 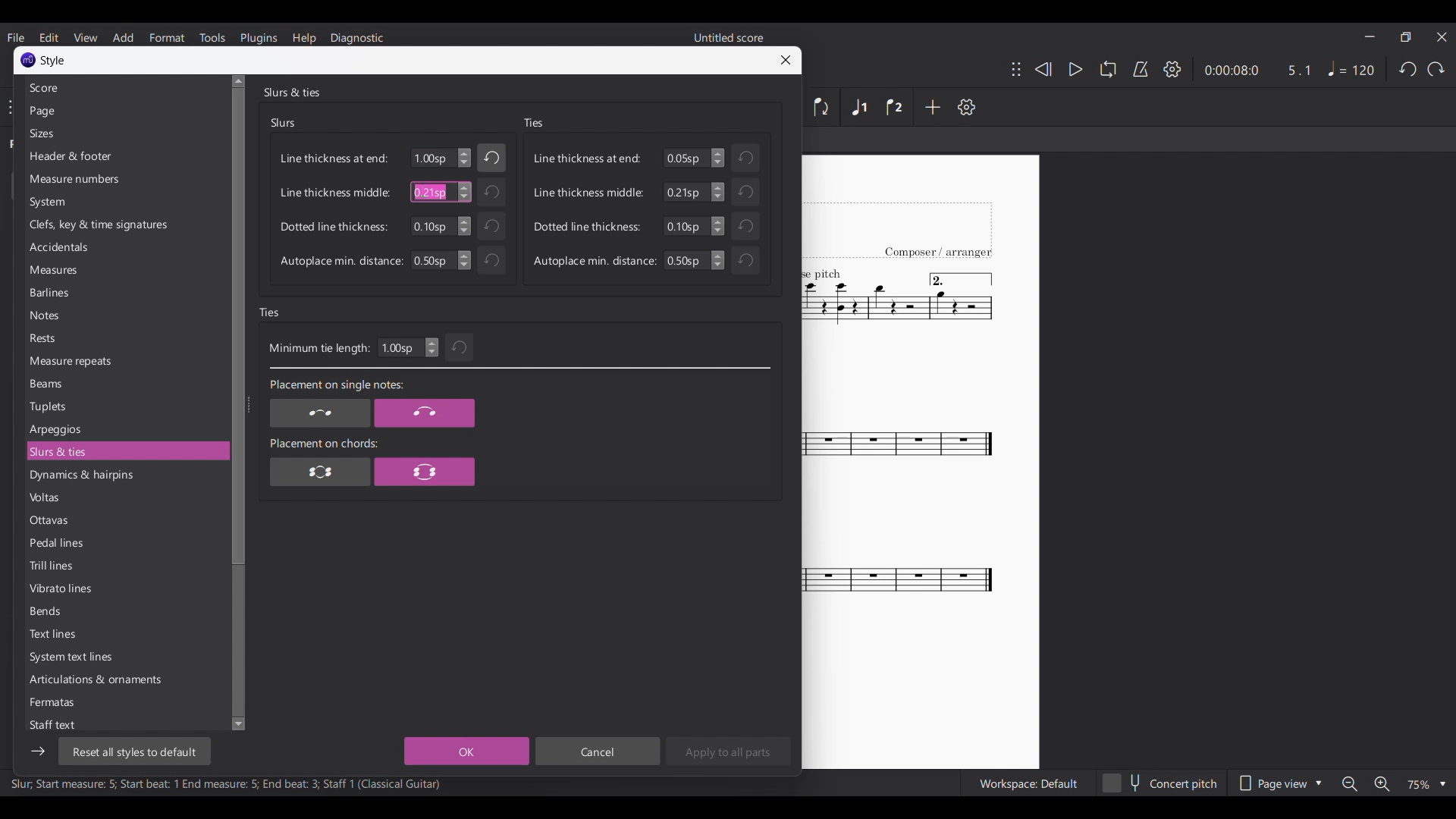 I want to click on Measure numbers, so click(x=125, y=179).